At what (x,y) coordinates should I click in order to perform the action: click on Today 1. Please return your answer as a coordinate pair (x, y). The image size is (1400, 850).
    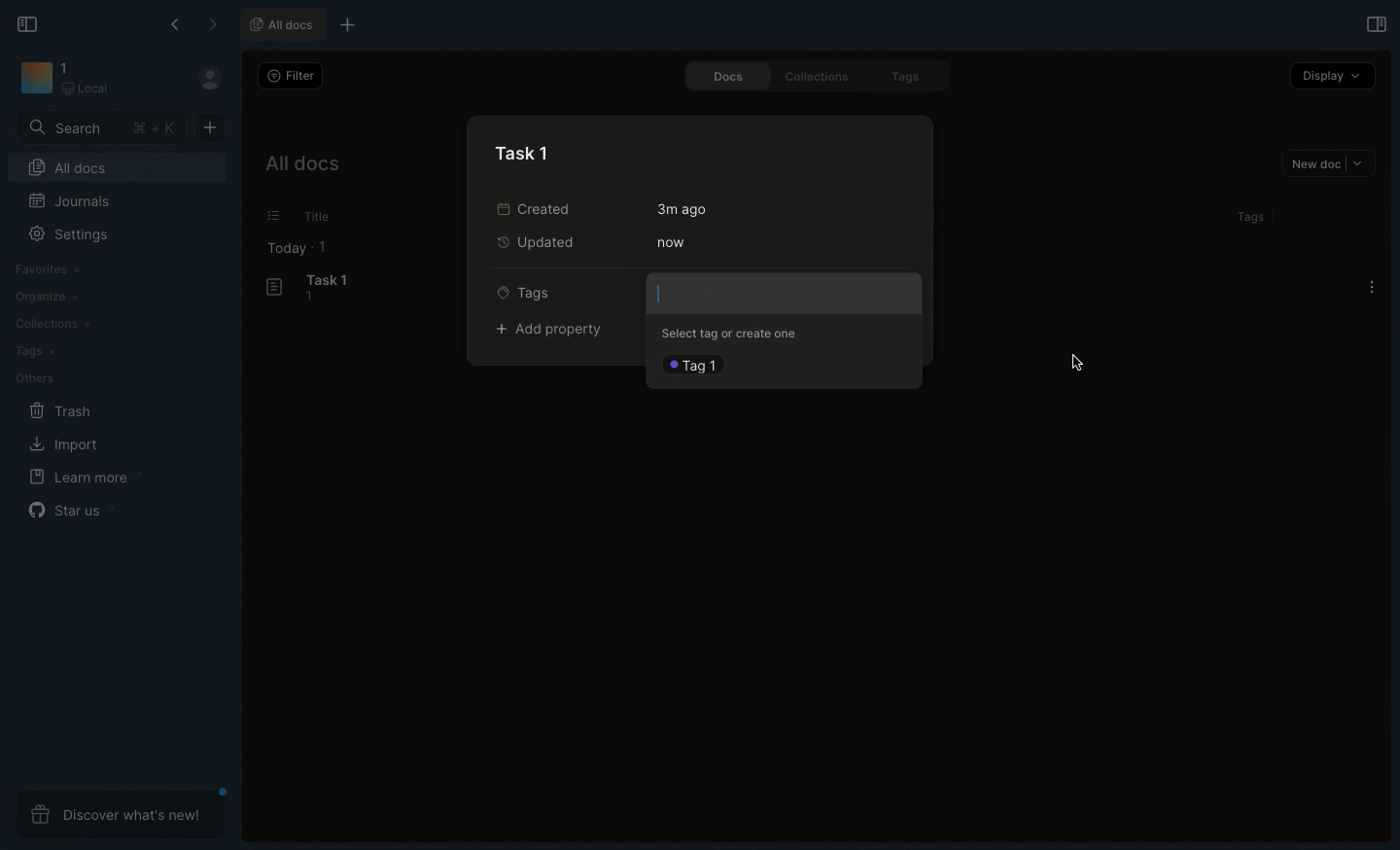
    Looking at the image, I should click on (298, 249).